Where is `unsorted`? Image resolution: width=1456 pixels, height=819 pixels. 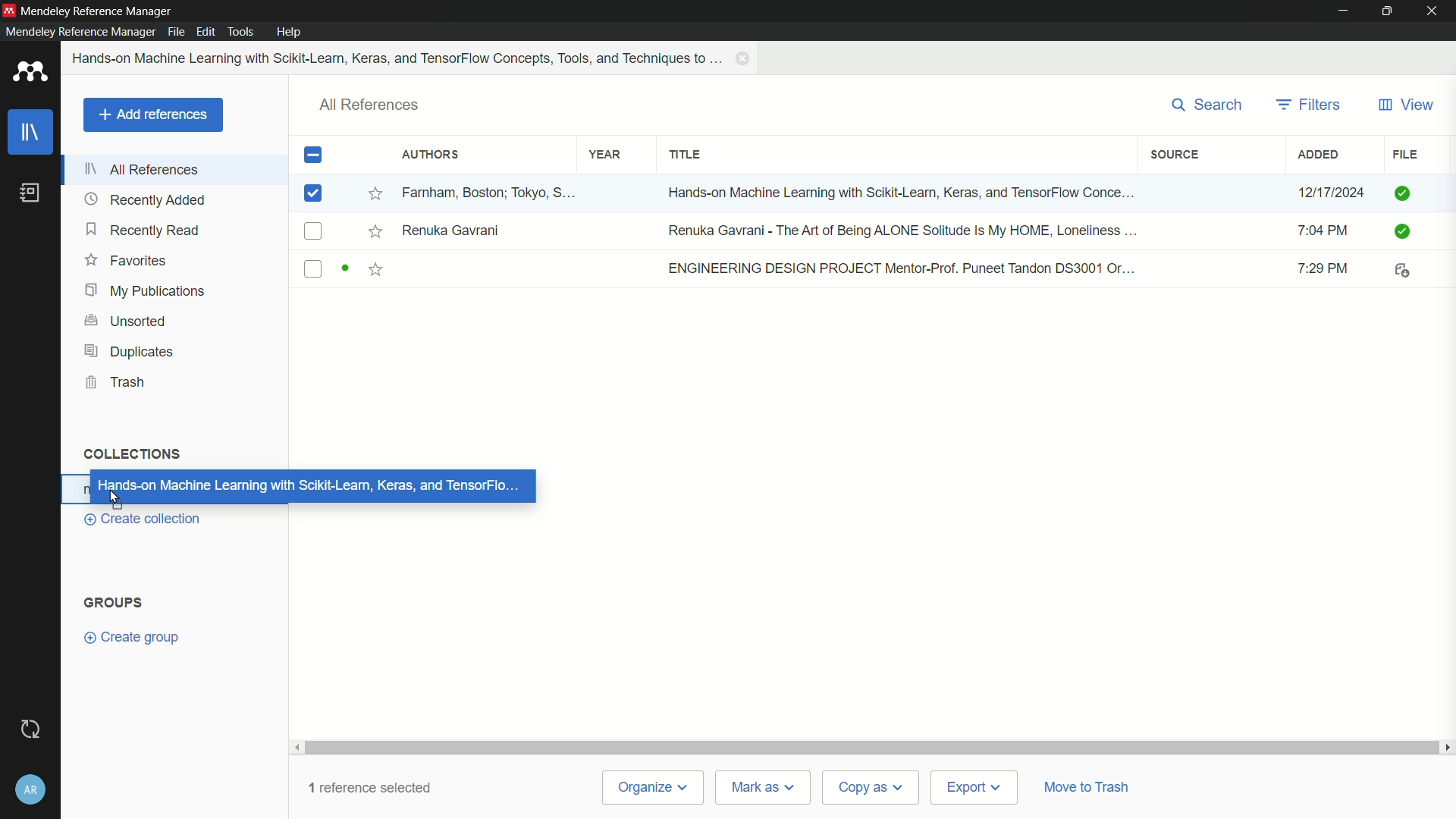 unsorted is located at coordinates (128, 319).